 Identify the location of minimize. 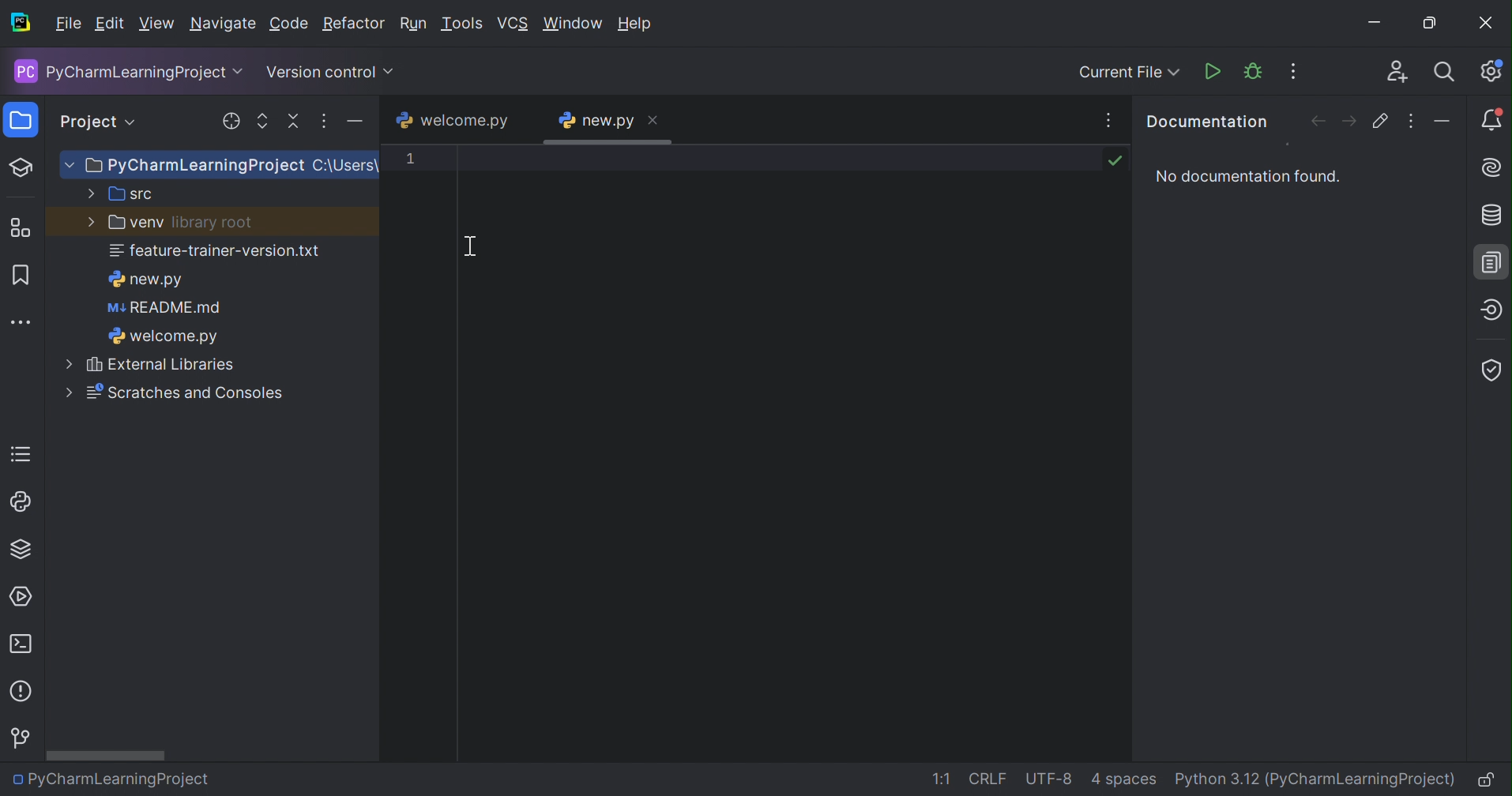
(358, 123).